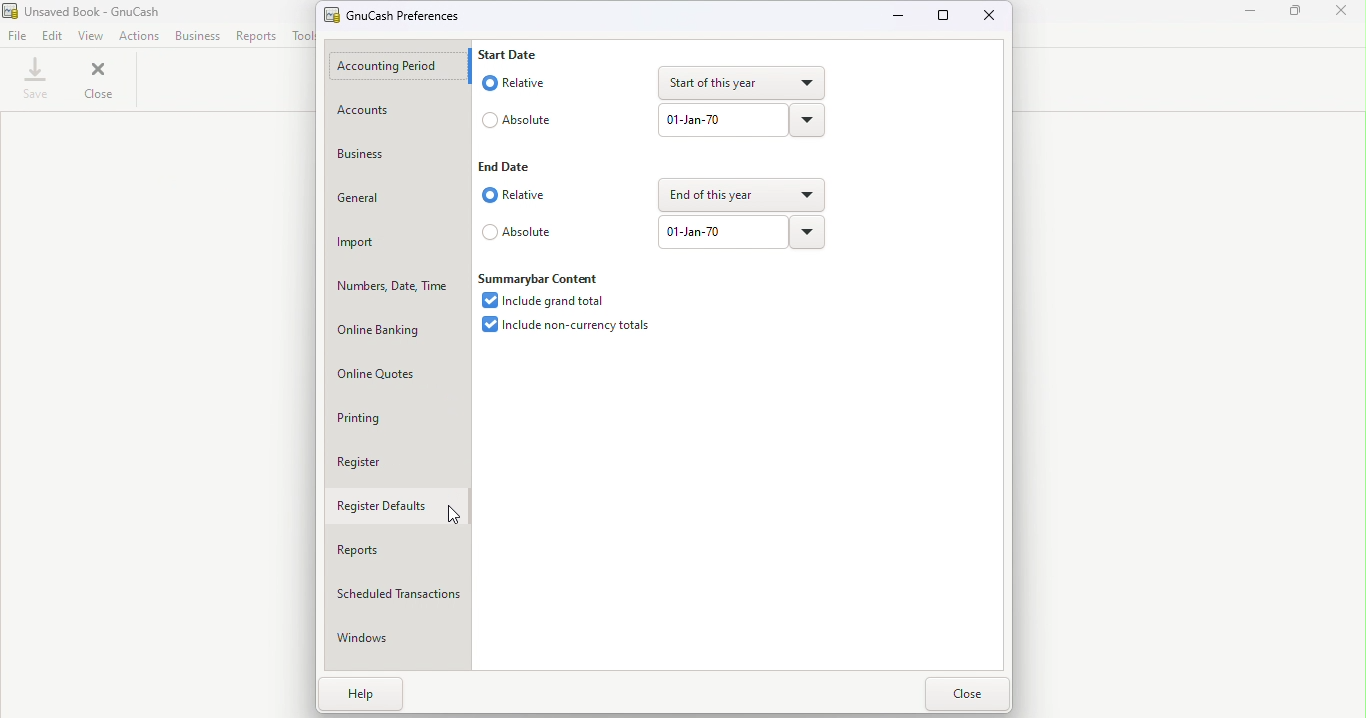 The height and width of the screenshot is (718, 1366). I want to click on Include non-currency totals, so click(565, 329).